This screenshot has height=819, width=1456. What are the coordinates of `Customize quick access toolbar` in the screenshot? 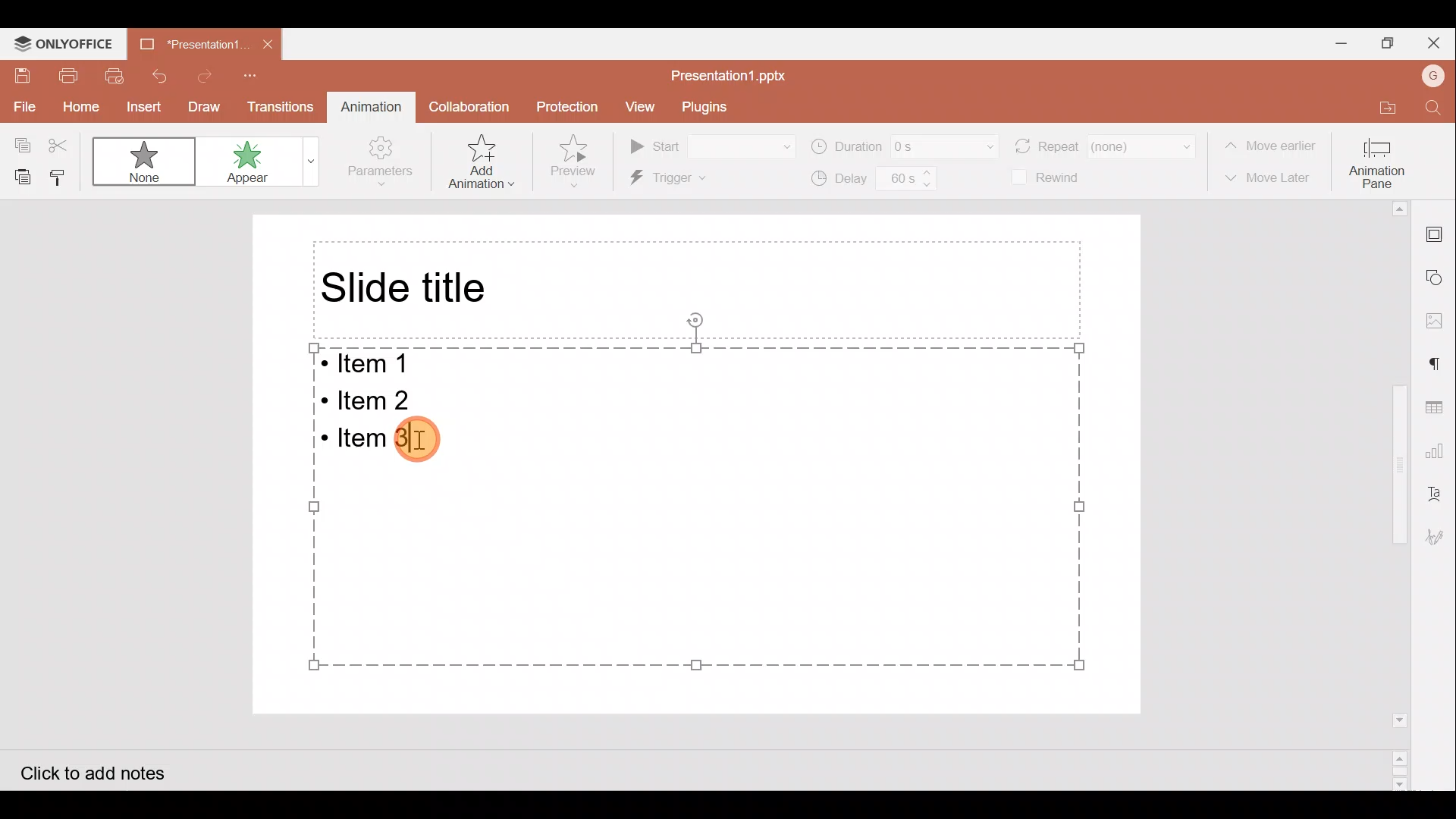 It's located at (259, 74).